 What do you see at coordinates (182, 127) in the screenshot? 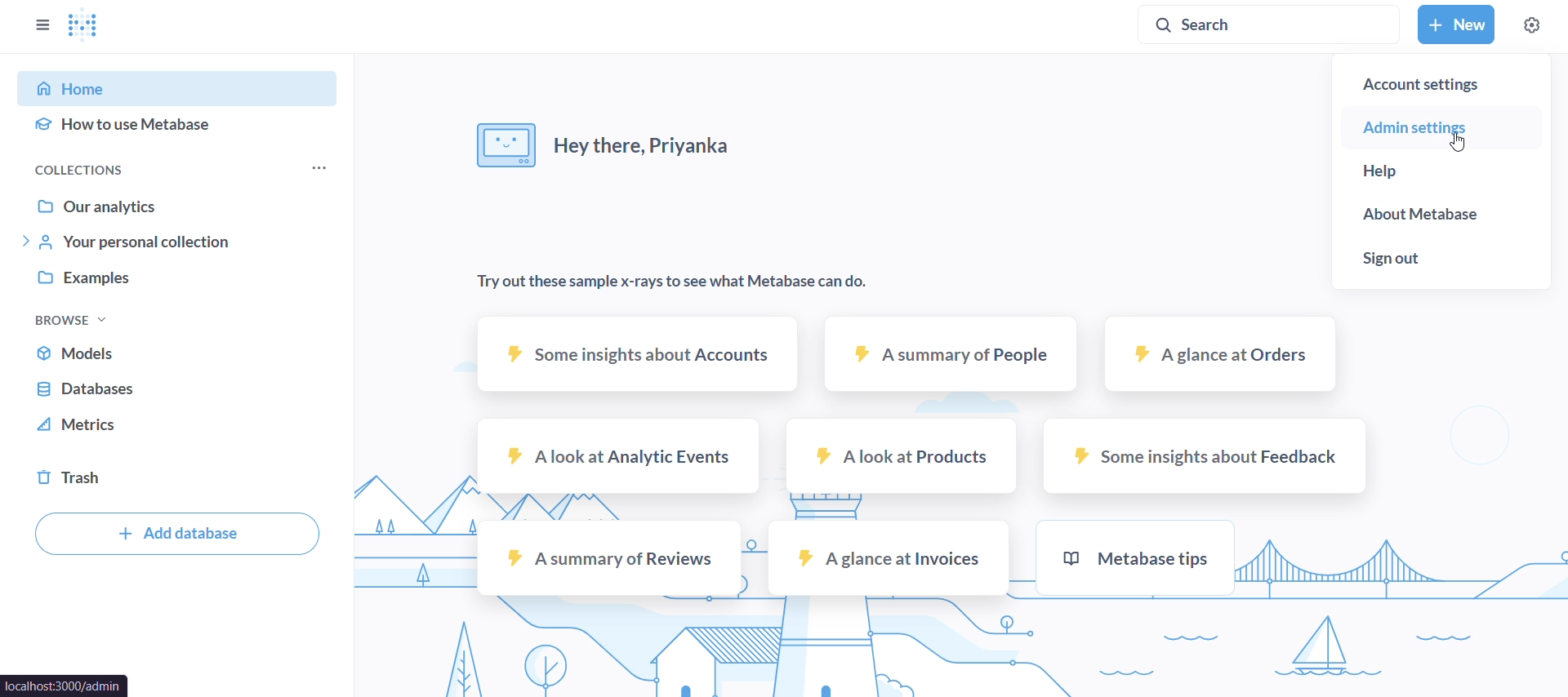
I see `how to use metabase` at bounding box center [182, 127].